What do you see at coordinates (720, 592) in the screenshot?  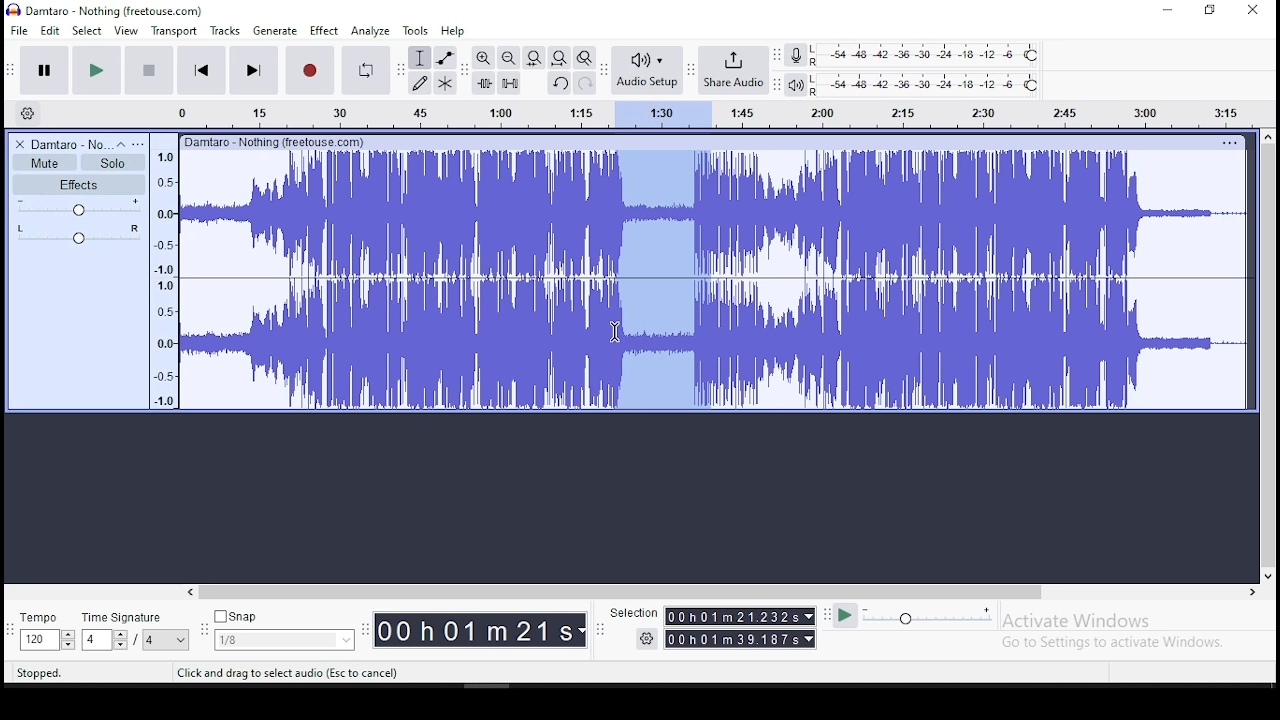 I see `horizontal scroll bar` at bounding box center [720, 592].